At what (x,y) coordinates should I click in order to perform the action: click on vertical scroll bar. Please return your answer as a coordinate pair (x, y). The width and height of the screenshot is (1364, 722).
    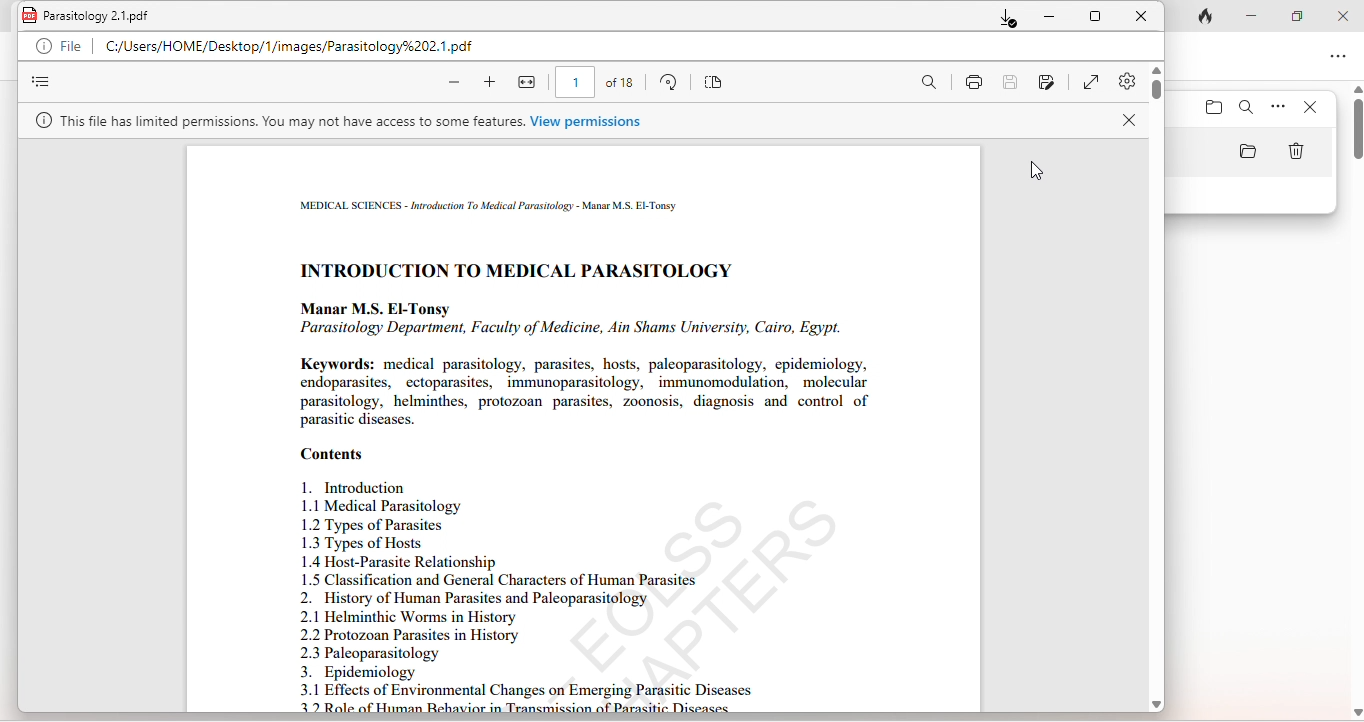
    Looking at the image, I should click on (1355, 124).